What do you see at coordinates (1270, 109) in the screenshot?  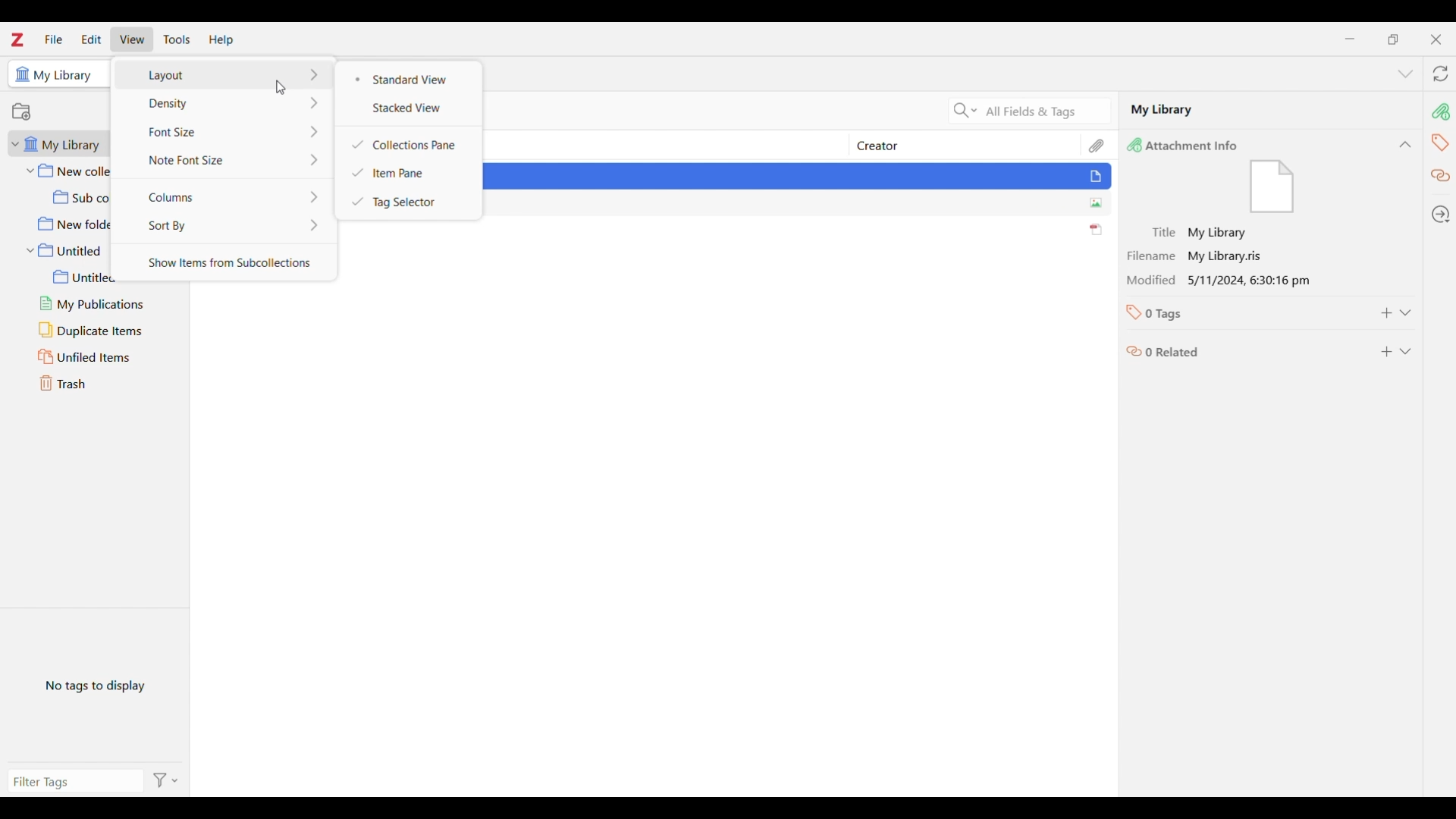 I see `Selected file` at bounding box center [1270, 109].